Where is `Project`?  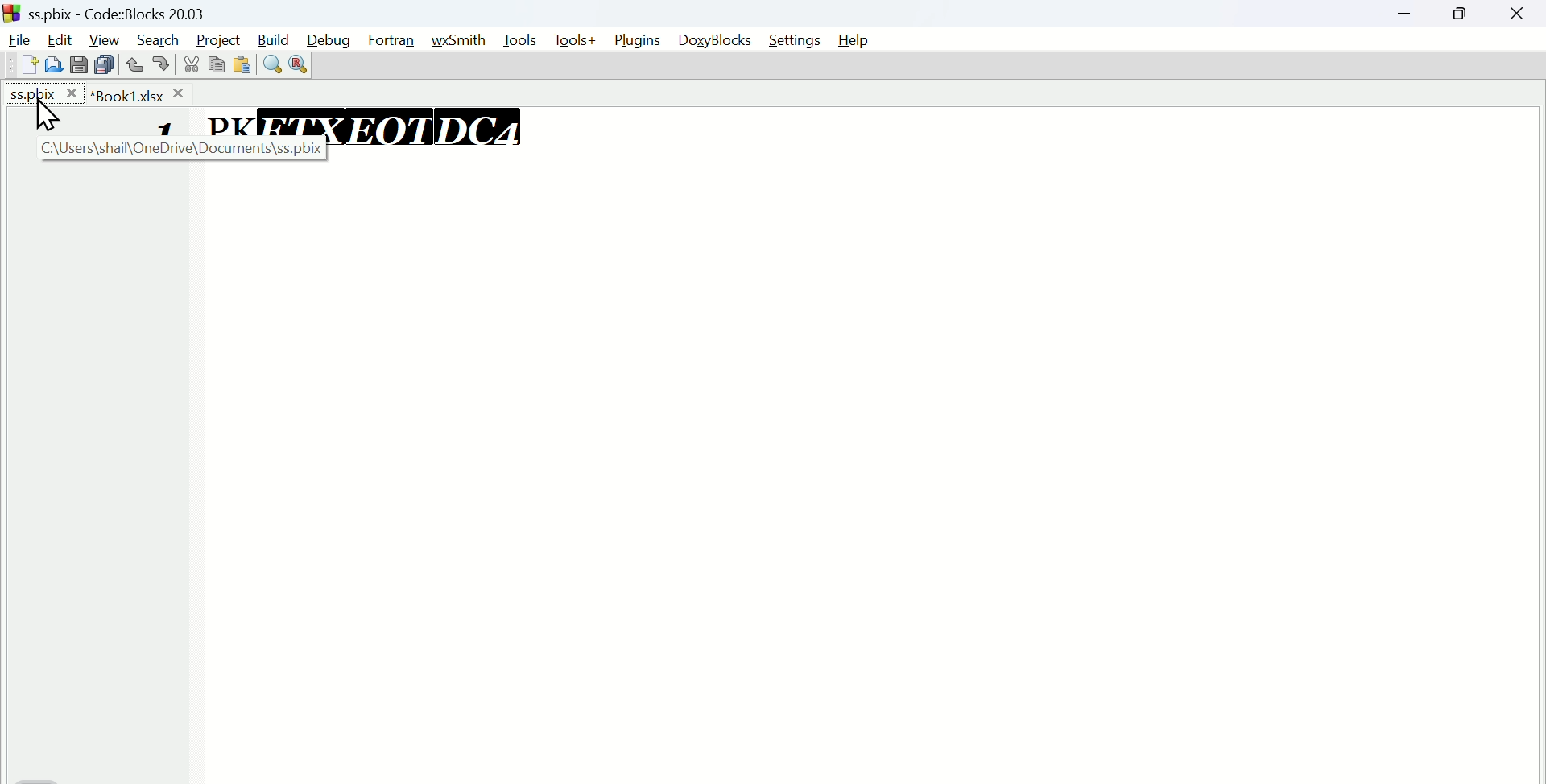
Project is located at coordinates (216, 38).